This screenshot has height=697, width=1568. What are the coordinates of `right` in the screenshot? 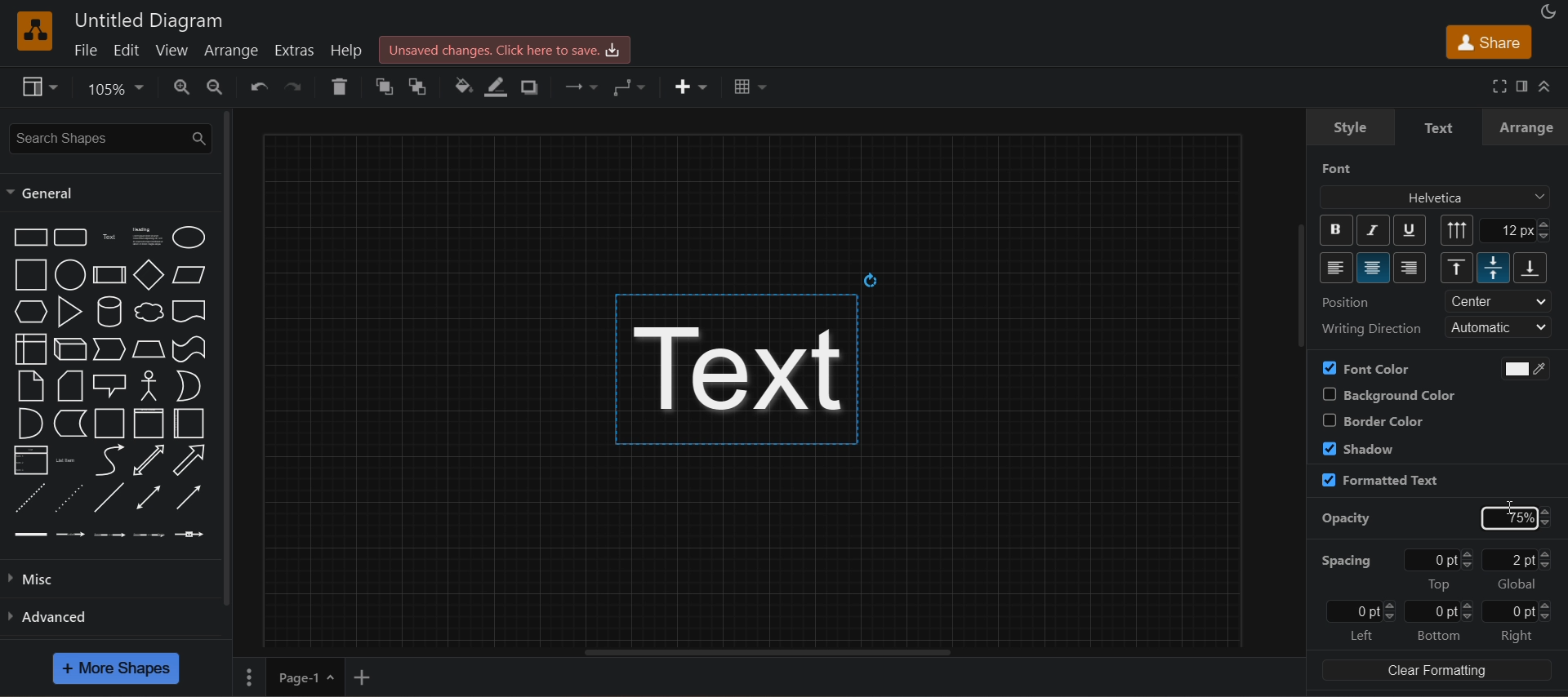 It's located at (1410, 268).